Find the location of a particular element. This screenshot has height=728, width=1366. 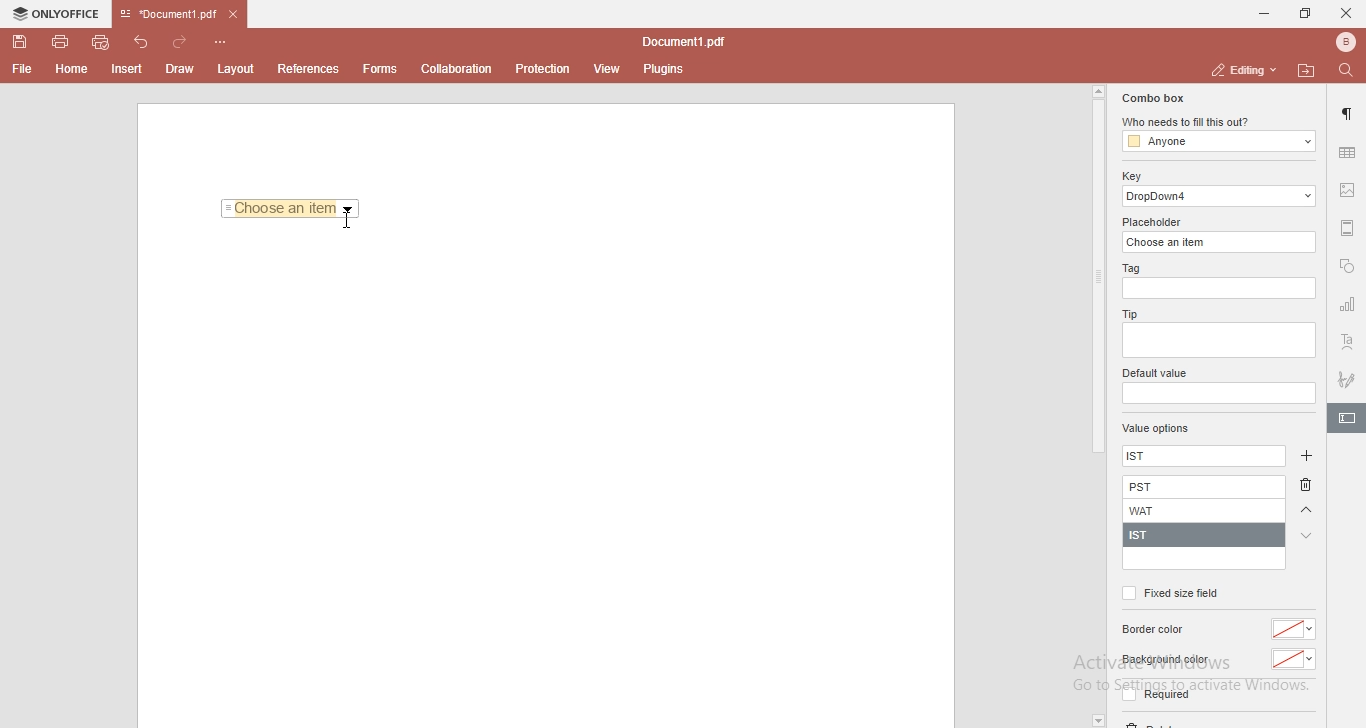

placeholder is located at coordinates (1155, 222).